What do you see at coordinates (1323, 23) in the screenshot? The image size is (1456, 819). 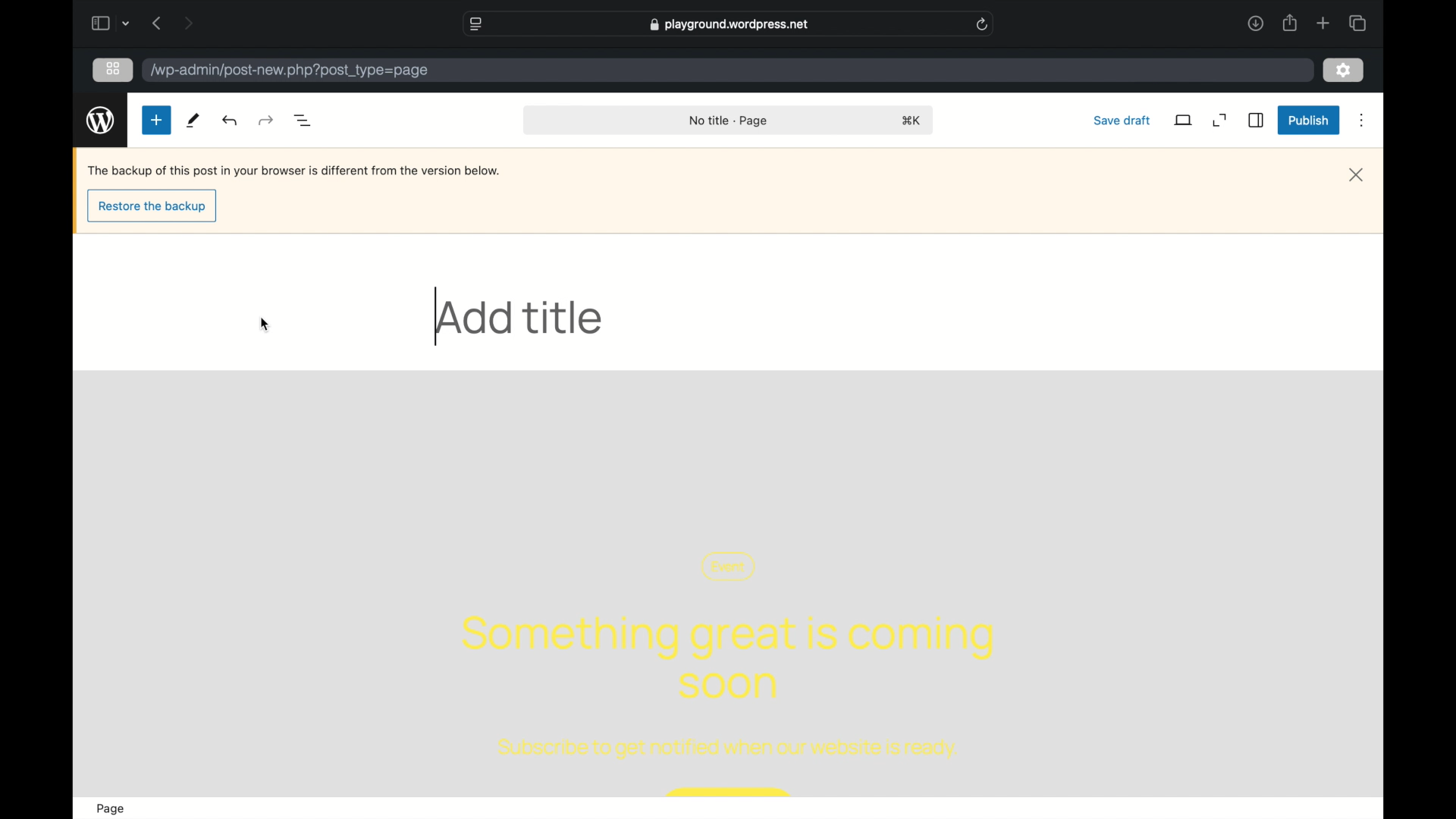 I see `new tab` at bounding box center [1323, 23].